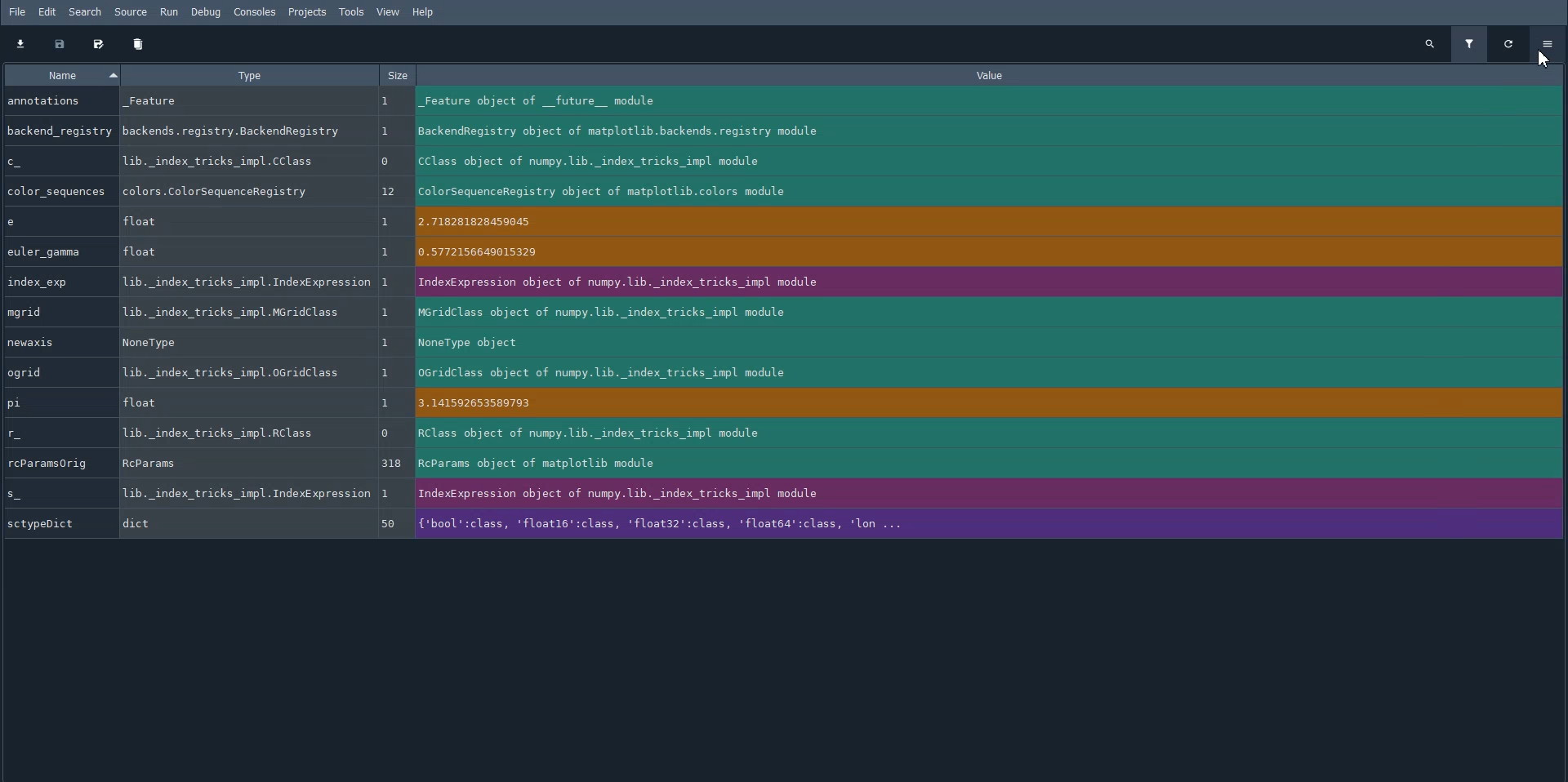 The height and width of the screenshot is (782, 1568). What do you see at coordinates (983, 102) in the screenshot?
I see `_Feature object of _ future__ module` at bounding box center [983, 102].